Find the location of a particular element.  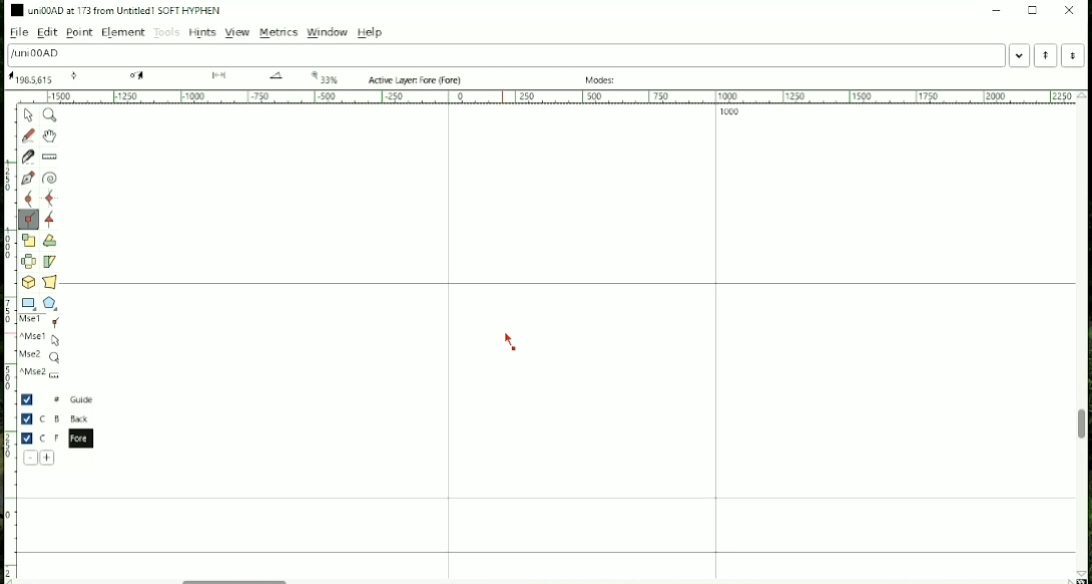

Pointer is located at coordinates (30, 115).